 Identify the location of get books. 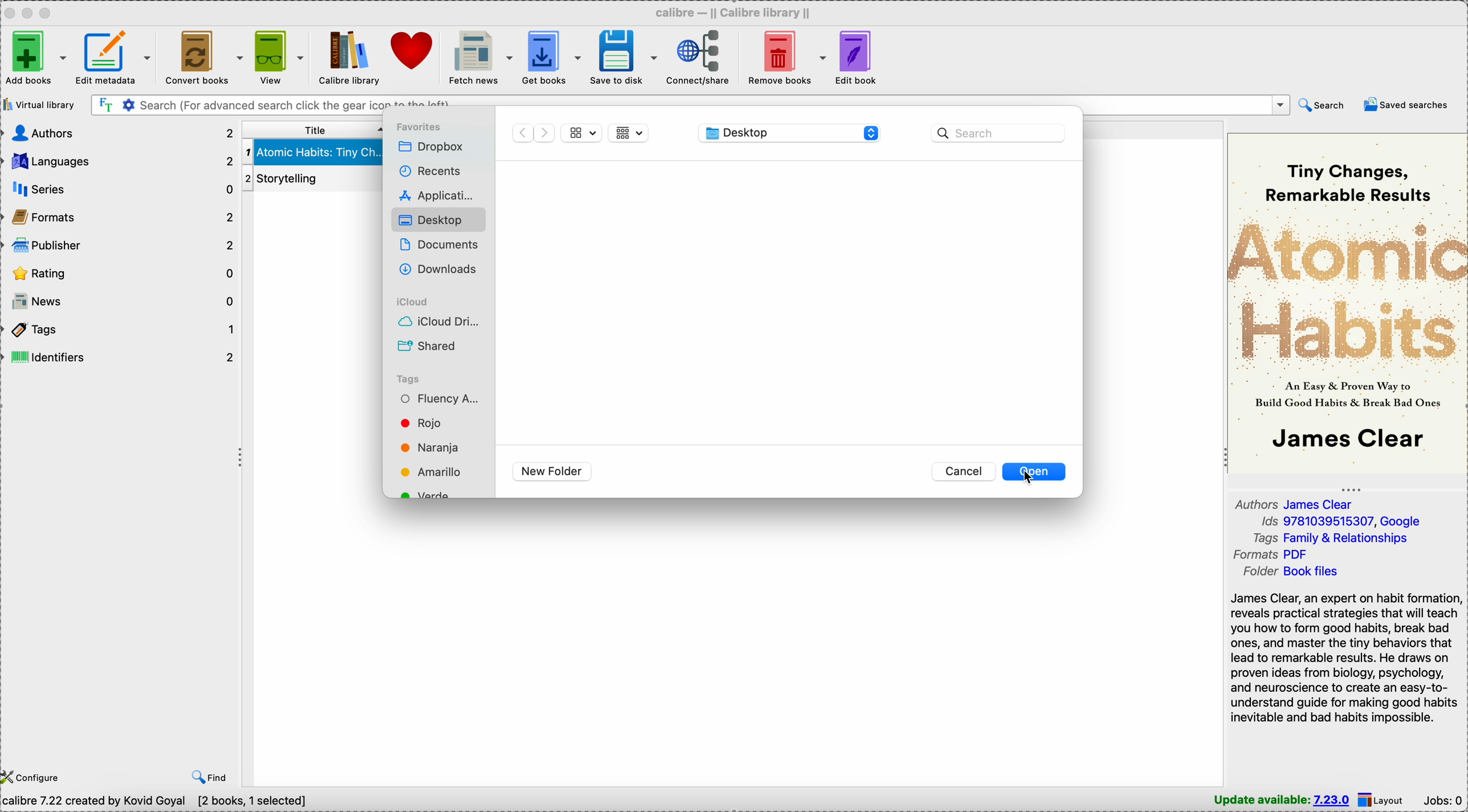
(549, 56).